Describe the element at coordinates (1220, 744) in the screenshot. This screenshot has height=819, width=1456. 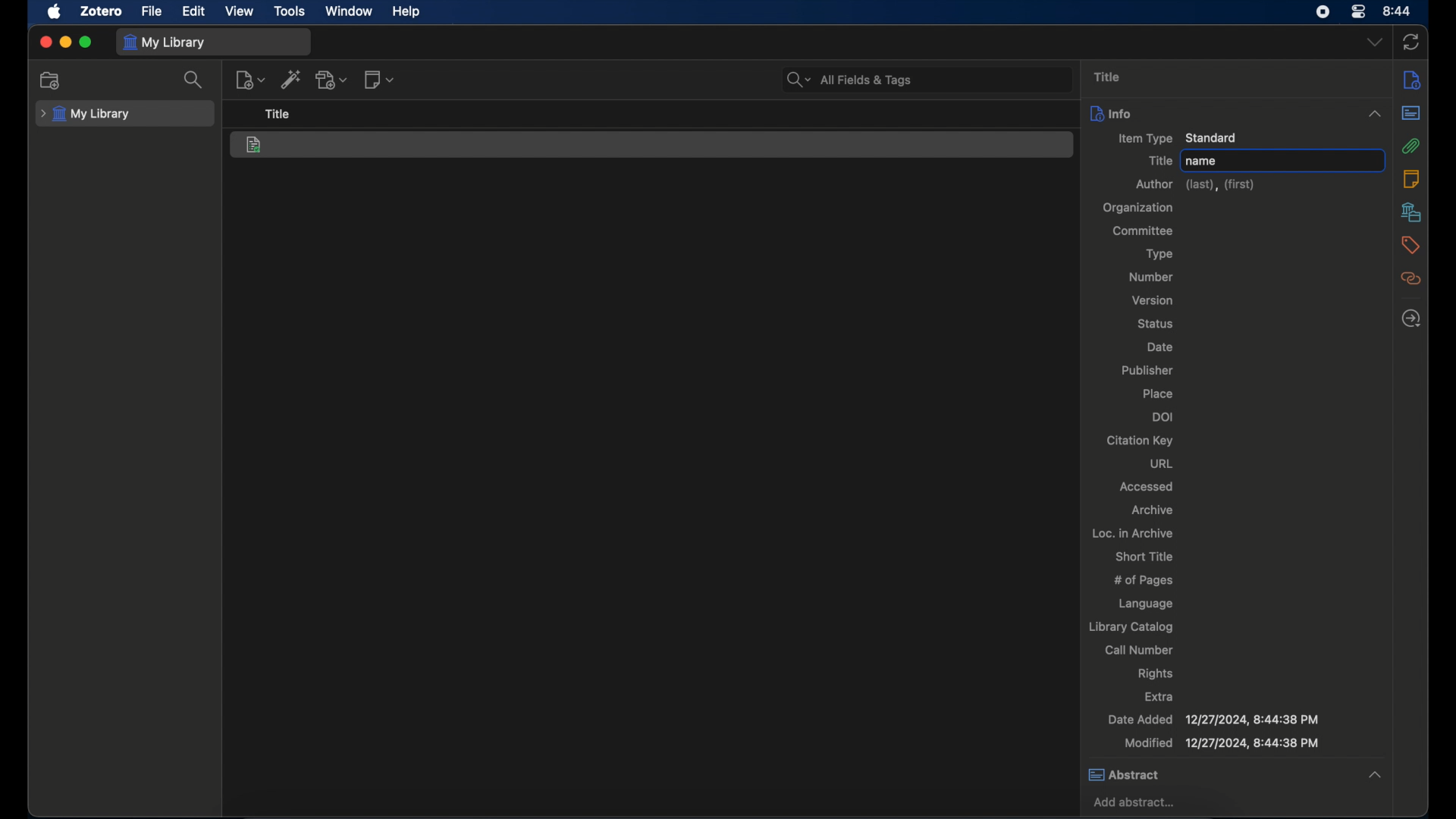
I see `modified` at that location.